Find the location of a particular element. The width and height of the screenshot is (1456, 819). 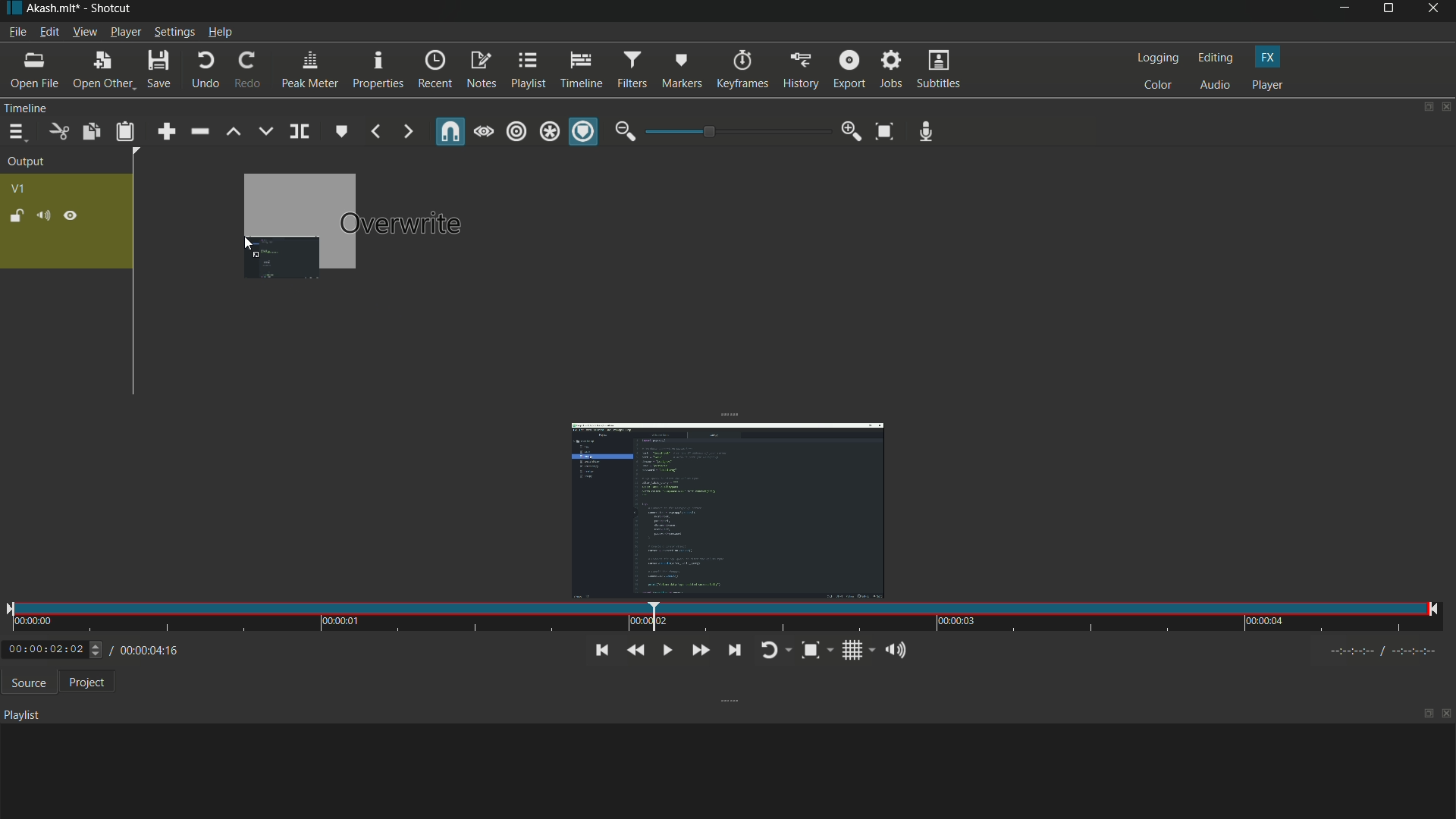

view menu is located at coordinates (83, 32).